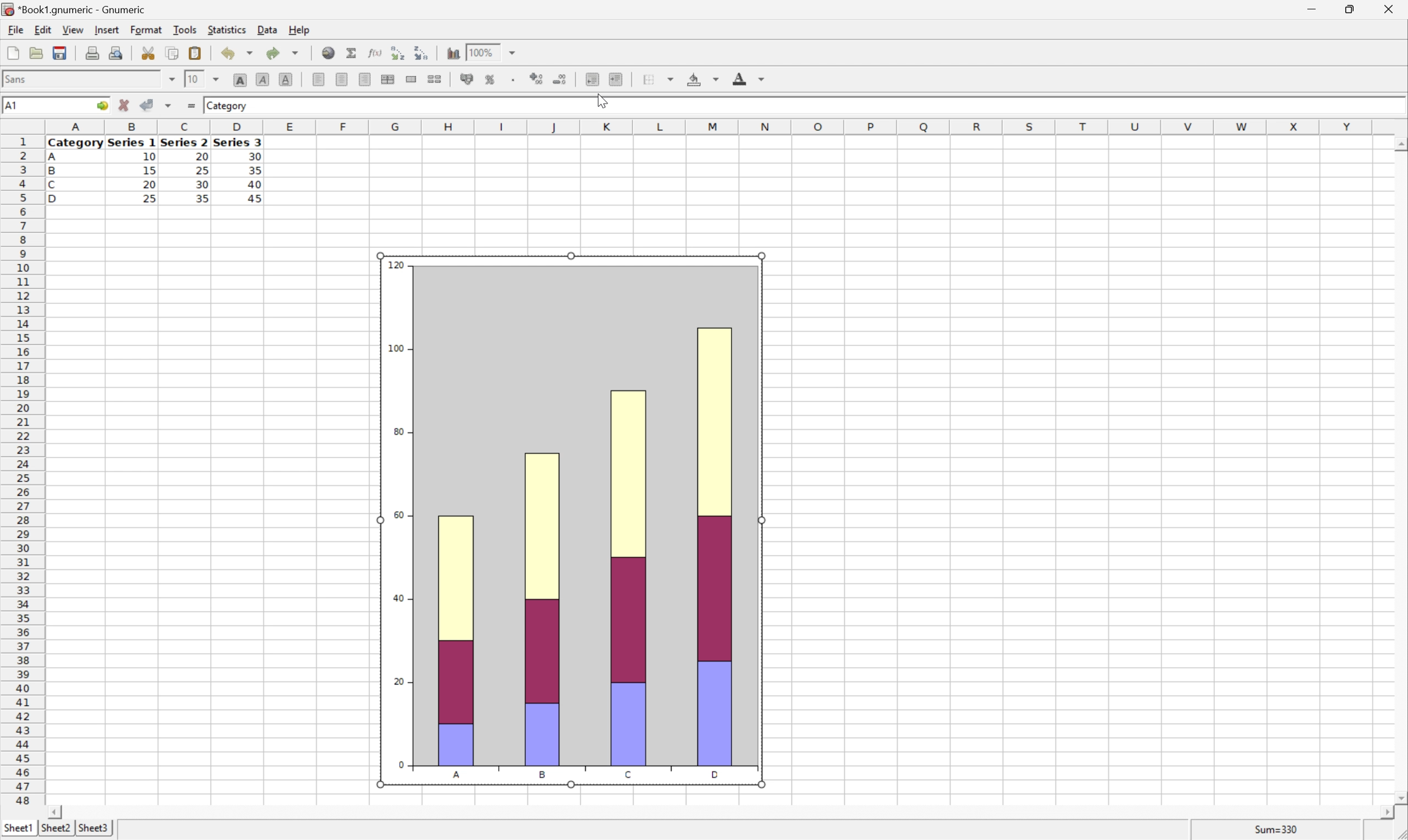 The height and width of the screenshot is (840, 1408). Describe the element at coordinates (43, 29) in the screenshot. I see `Edit` at that location.